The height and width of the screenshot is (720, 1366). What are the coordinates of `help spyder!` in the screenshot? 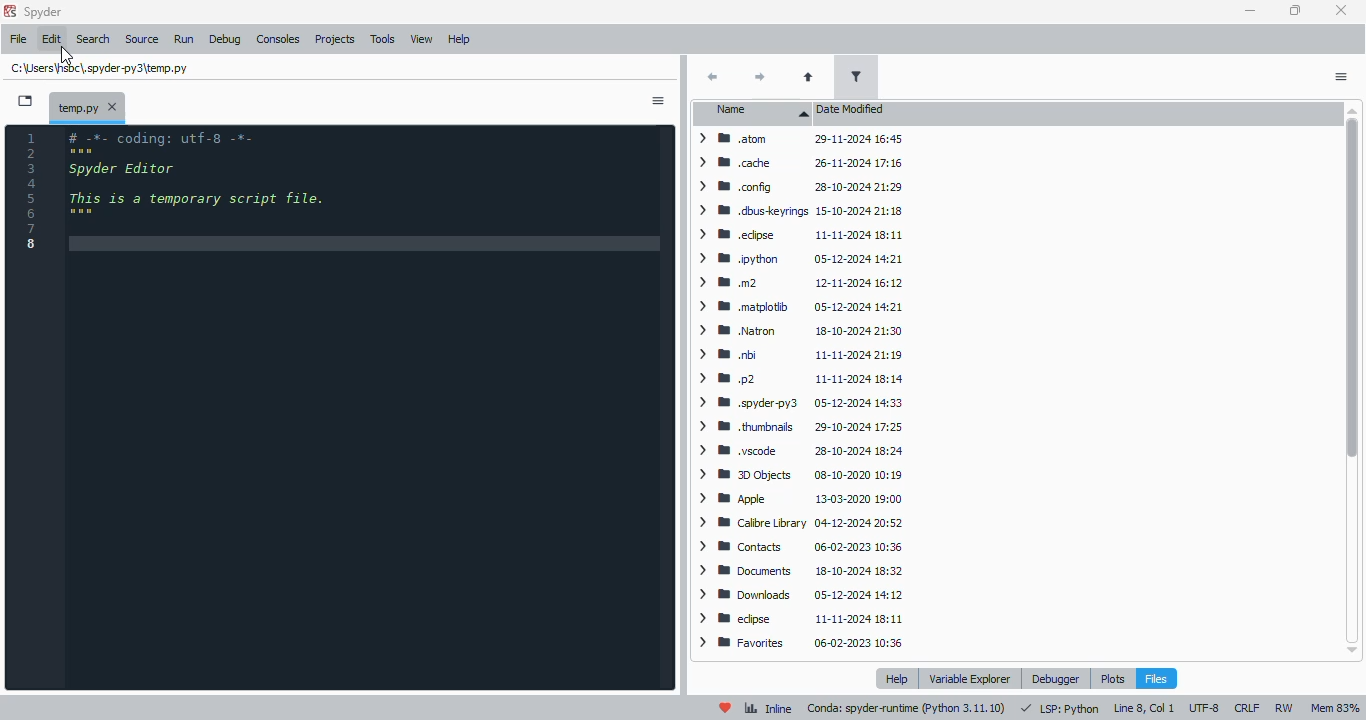 It's located at (726, 708).